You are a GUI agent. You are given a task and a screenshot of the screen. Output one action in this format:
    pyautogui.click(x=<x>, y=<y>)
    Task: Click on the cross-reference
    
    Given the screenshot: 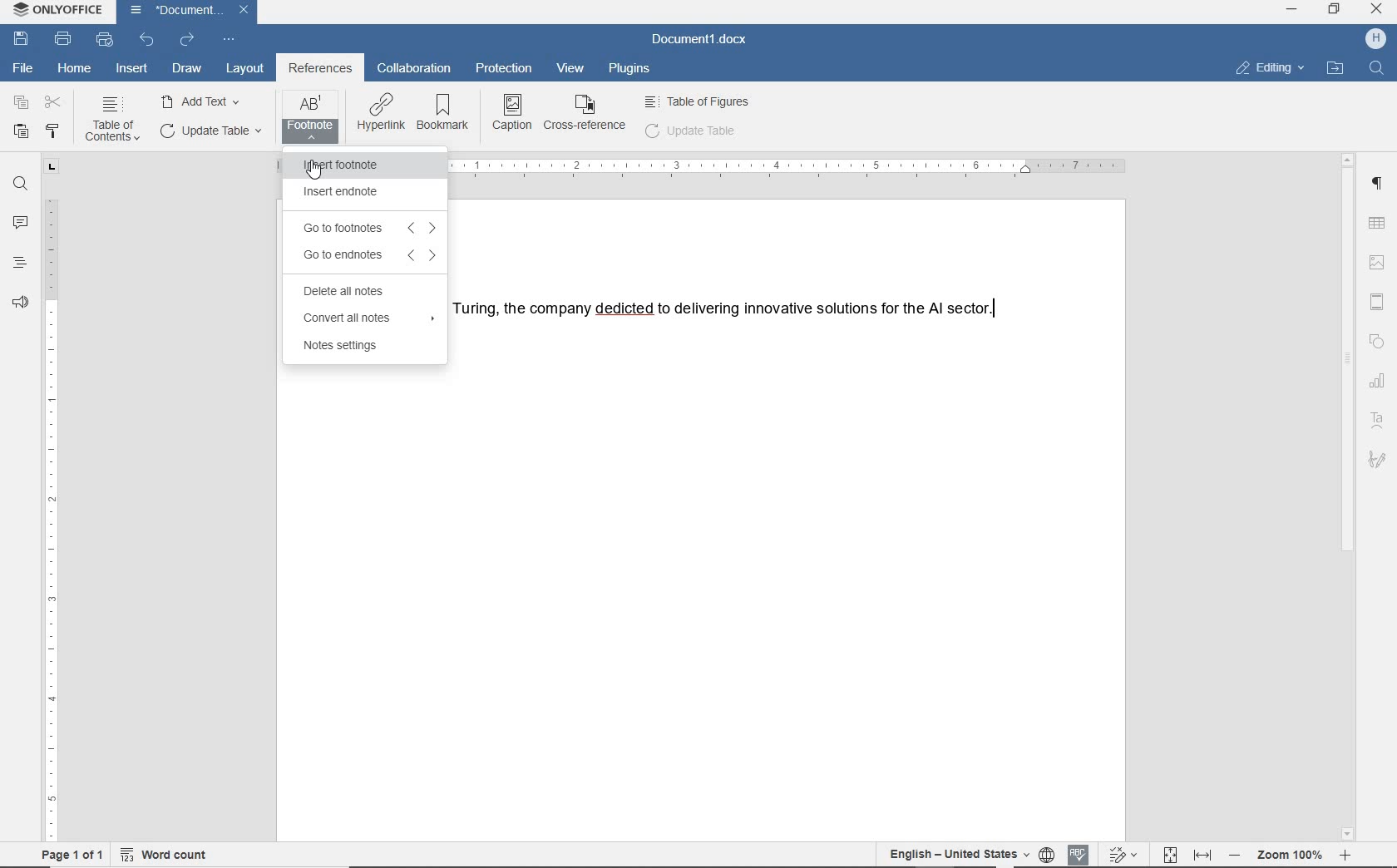 What is the action you would take?
    pyautogui.click(x=587, y=114)
    